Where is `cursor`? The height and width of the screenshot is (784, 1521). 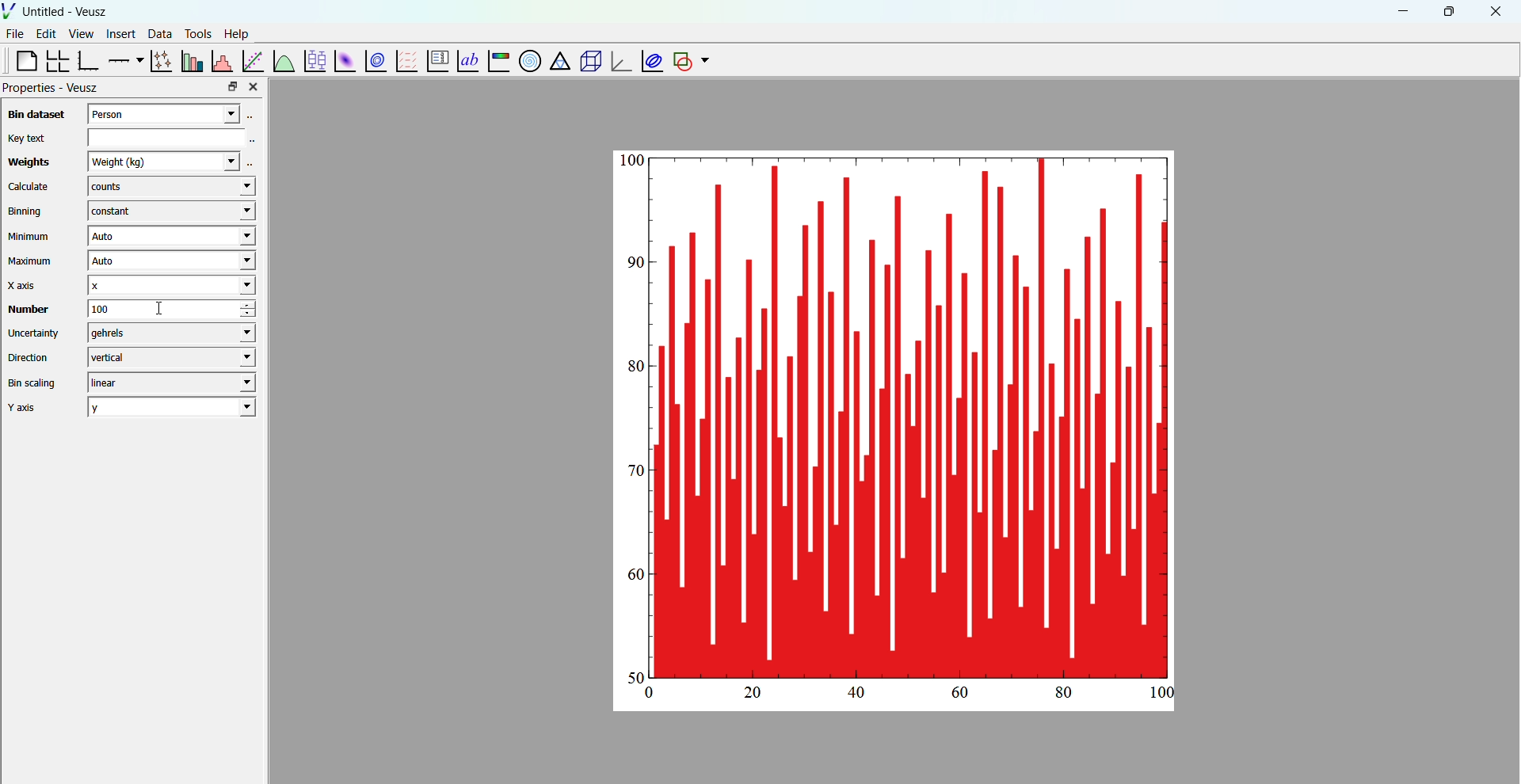
cursor is located at coordinates (166, 310).